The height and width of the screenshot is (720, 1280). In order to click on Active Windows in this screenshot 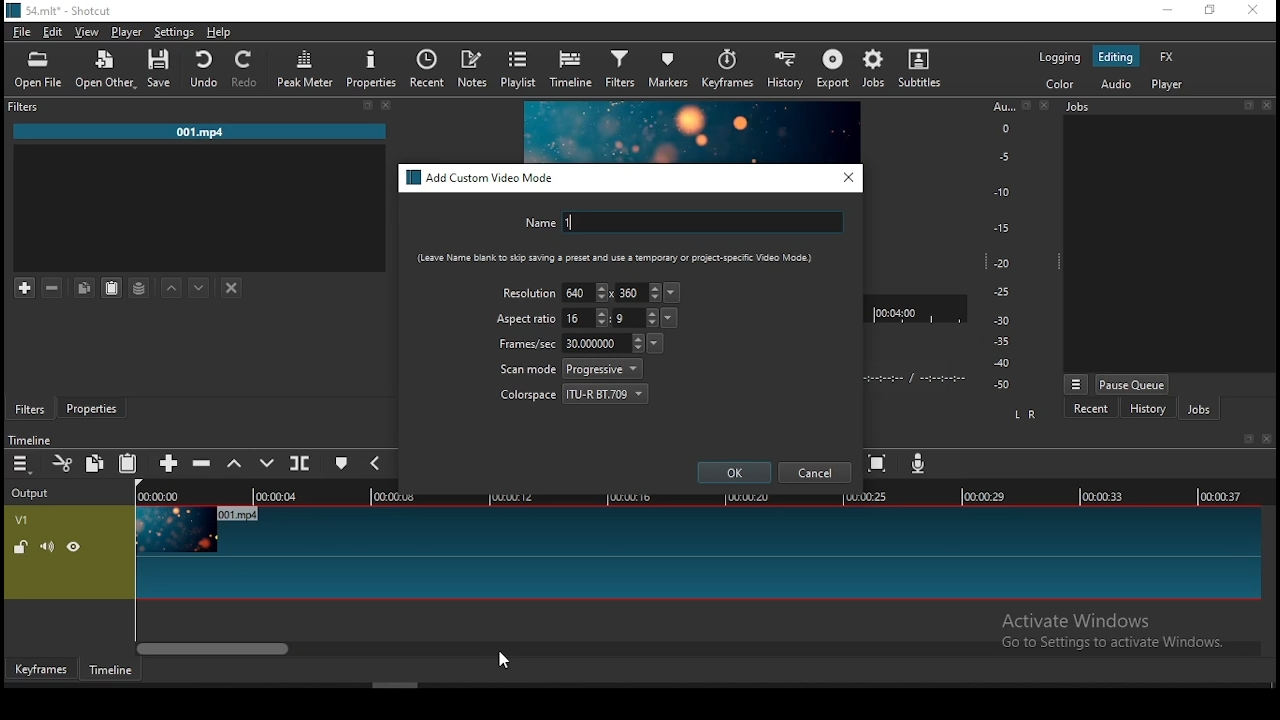, I will do `click(1084, 620)`.